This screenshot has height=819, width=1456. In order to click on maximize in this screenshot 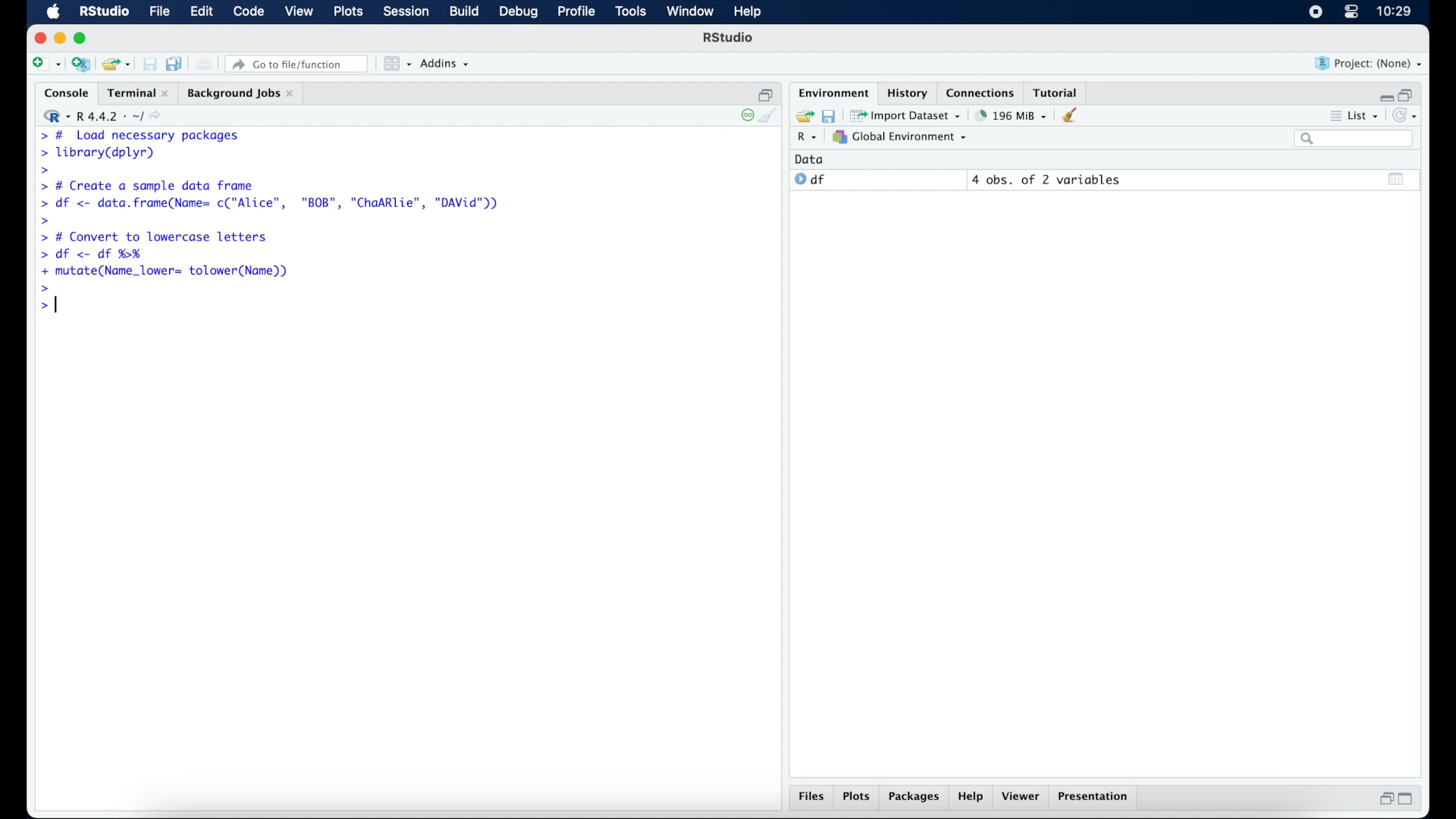, I will do `click(1410, 799)`.